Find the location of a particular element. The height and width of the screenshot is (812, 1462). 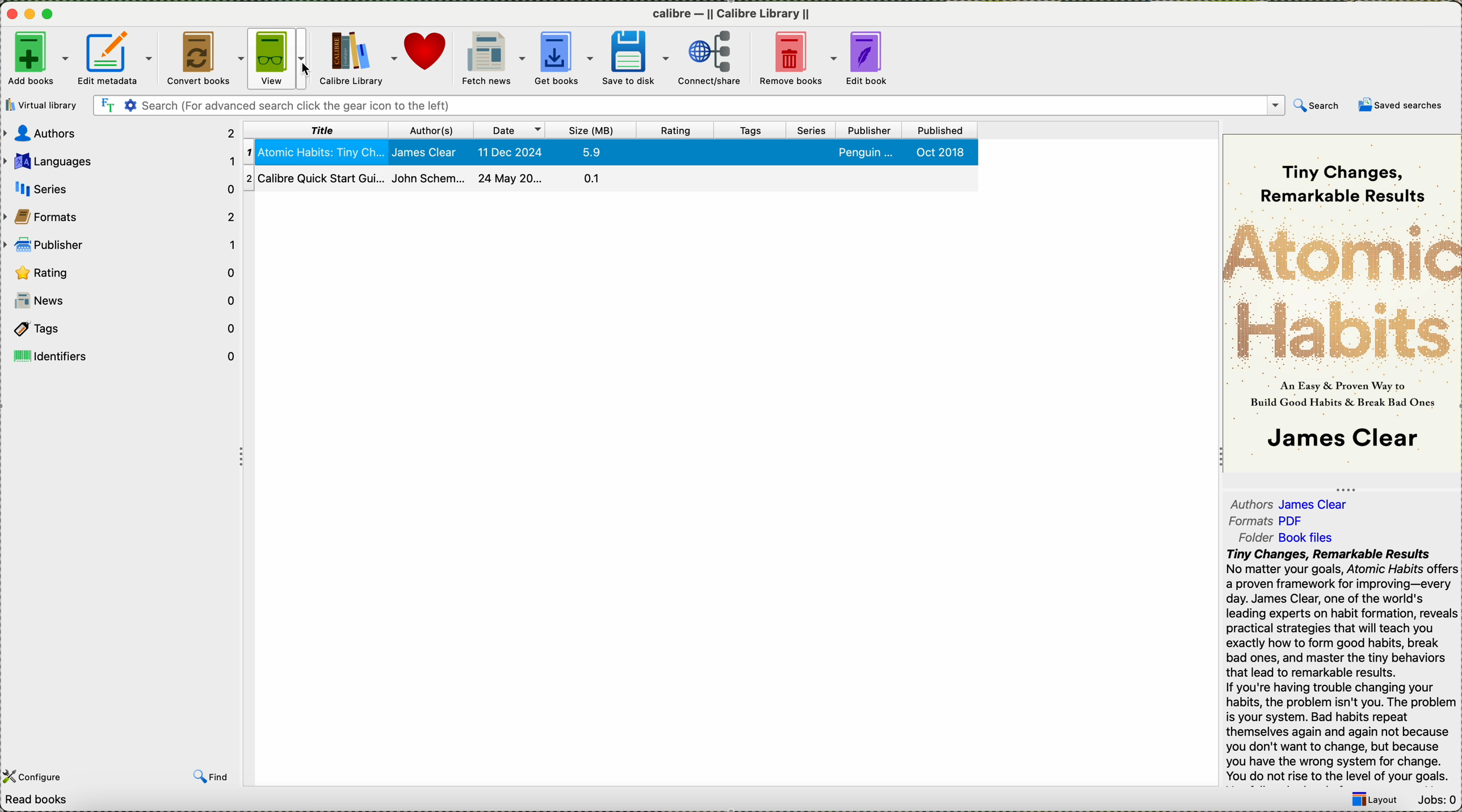

find is located at coordinates (213, 777).